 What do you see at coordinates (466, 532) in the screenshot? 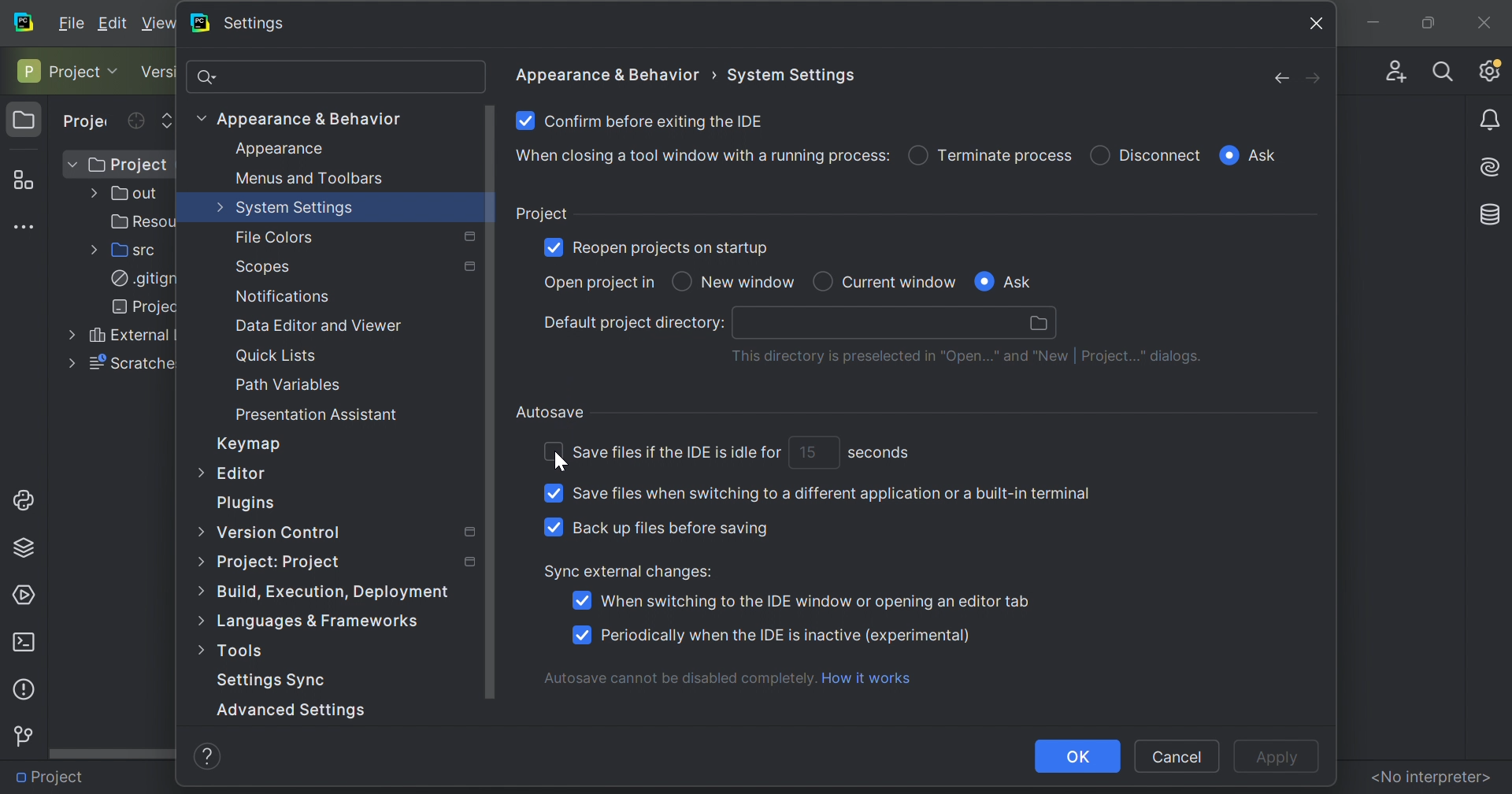
I see `Settings marked with this icon are only applied to the current project. Non-marked settings are applied to all projects.` at bounding box center [466, 532].